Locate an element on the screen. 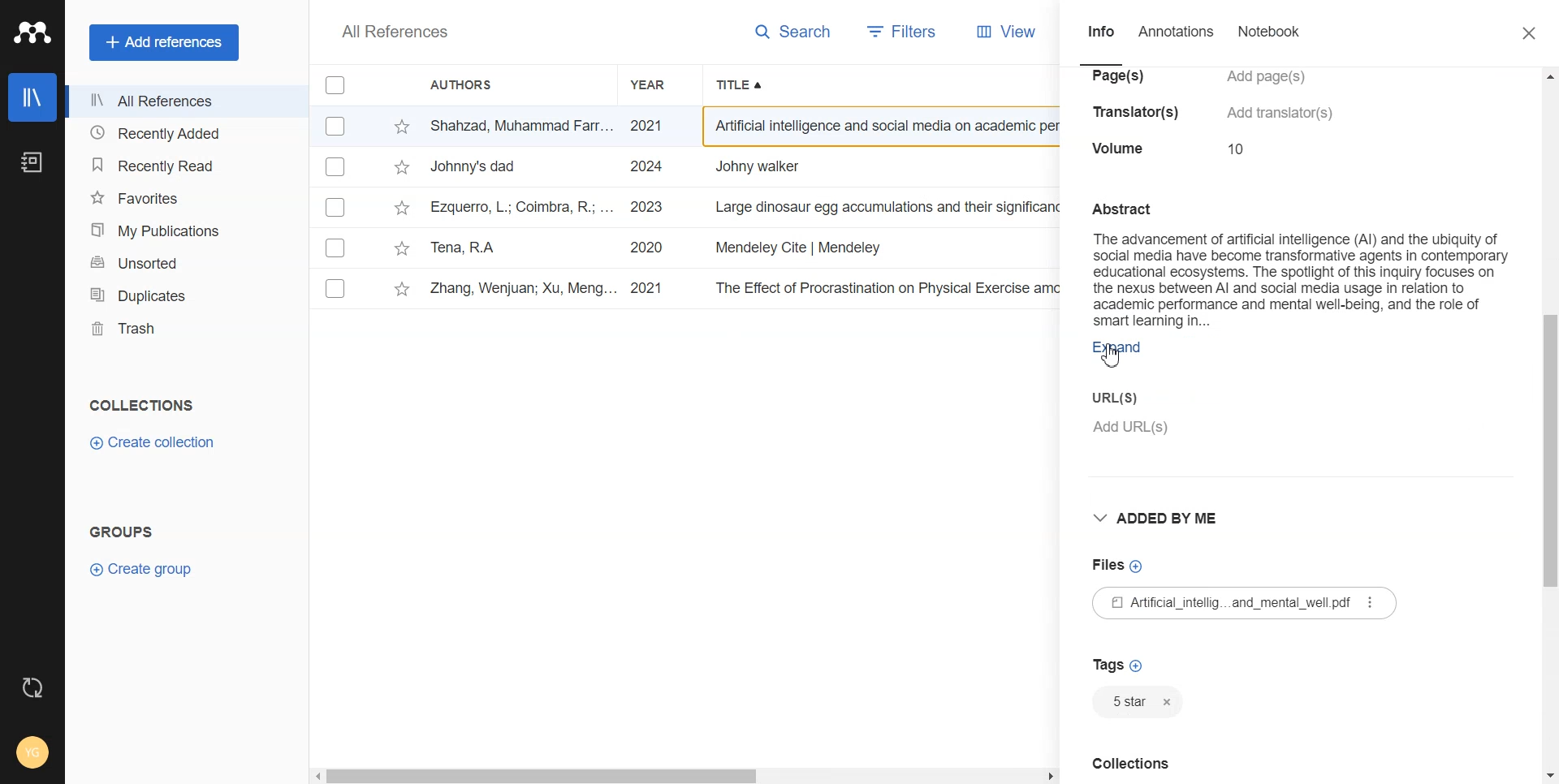  - Shahzad, Muhammad Farr... 2021 Artificial intelligence and social media on academic performance and mental ...  Heliyon 12/18/2024 is located at coordinates (747, 126).